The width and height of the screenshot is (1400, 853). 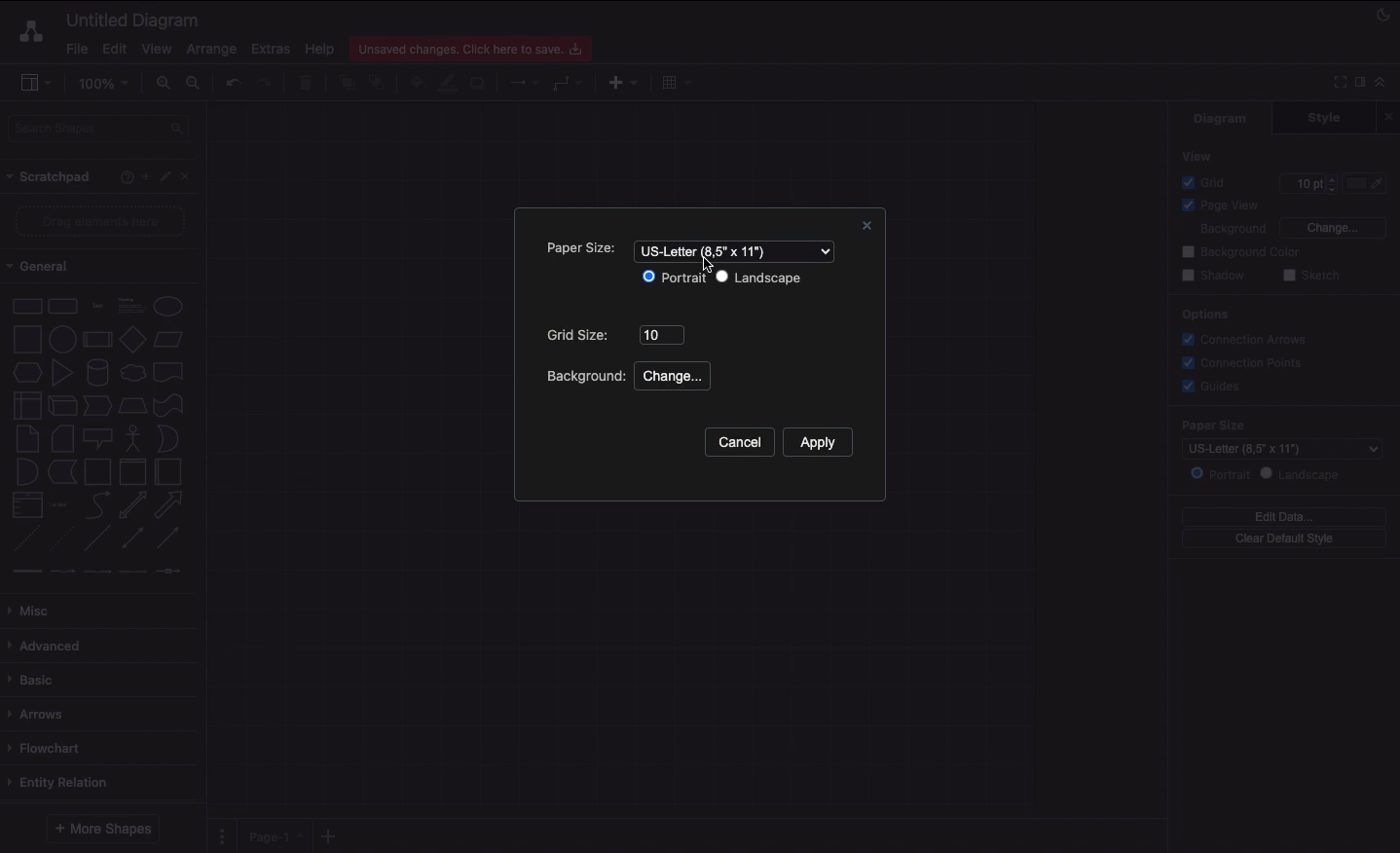 What do you see at coordinates (25, 339) in the screenshot?
I see `Square` at bounding box center [25, 339].